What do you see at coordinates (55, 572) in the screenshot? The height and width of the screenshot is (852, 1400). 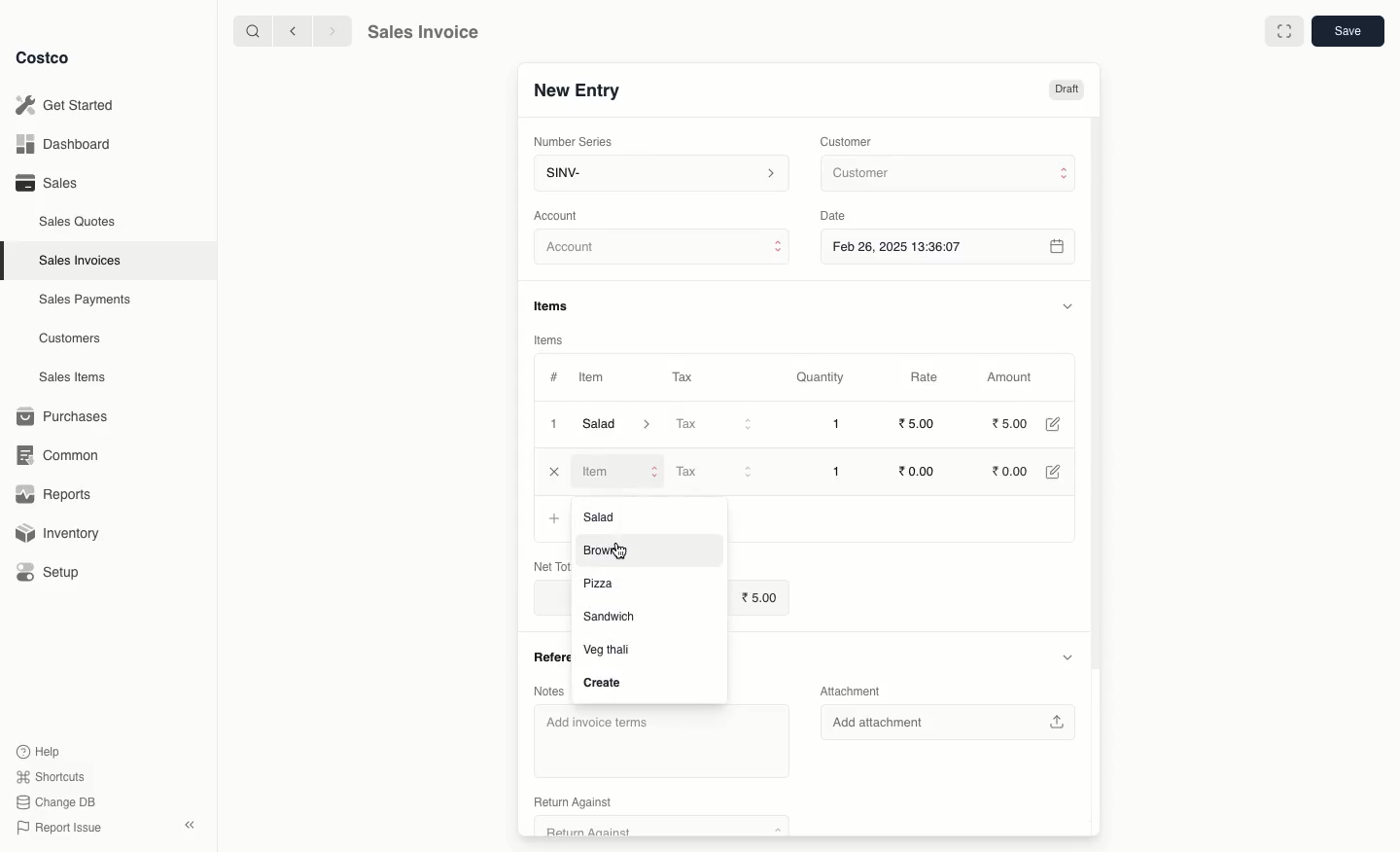 I see `Setup` at bounding box center [55, 572].